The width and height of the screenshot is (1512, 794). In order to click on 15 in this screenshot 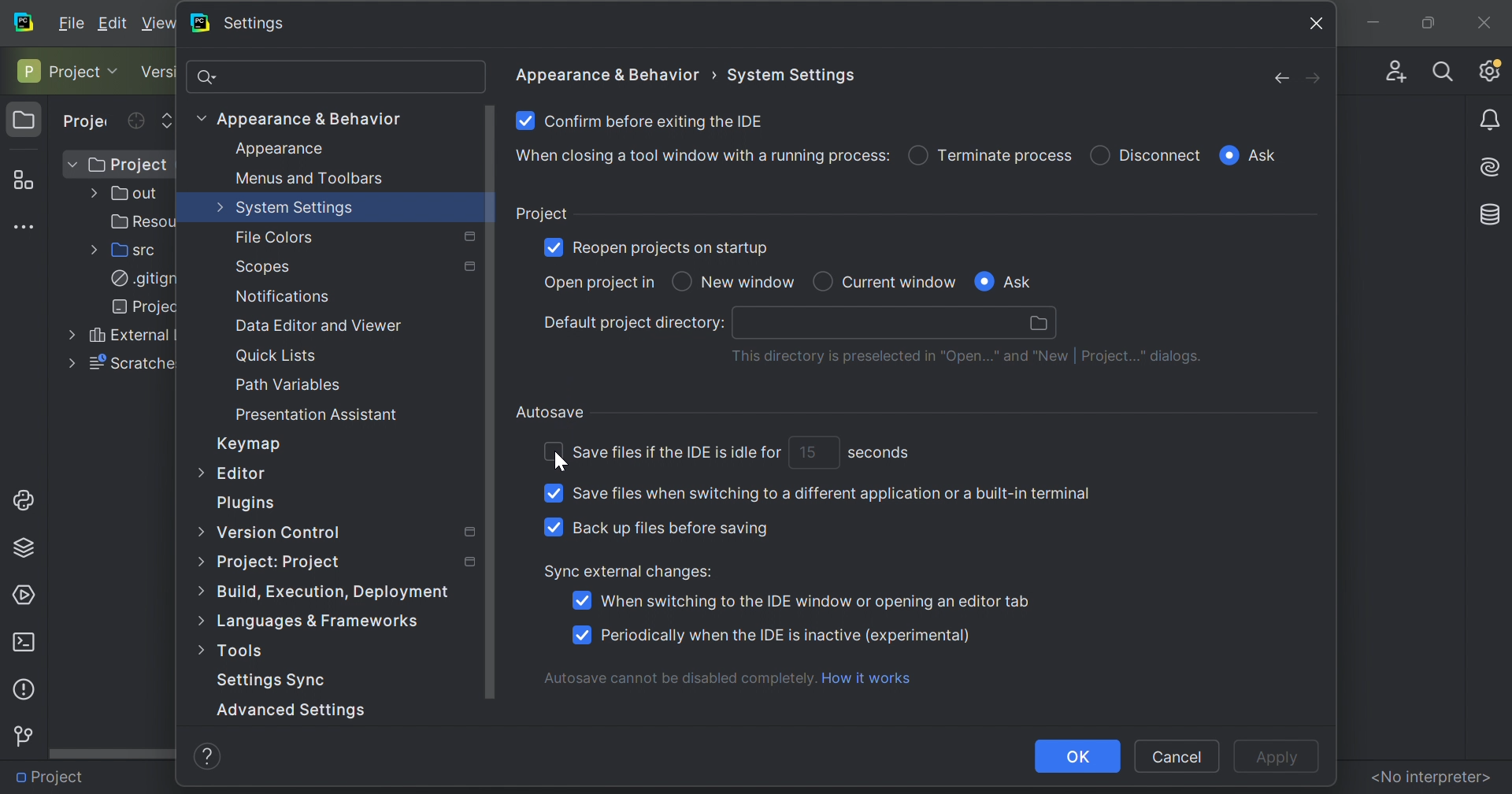, I will do `click(807, 451)`.